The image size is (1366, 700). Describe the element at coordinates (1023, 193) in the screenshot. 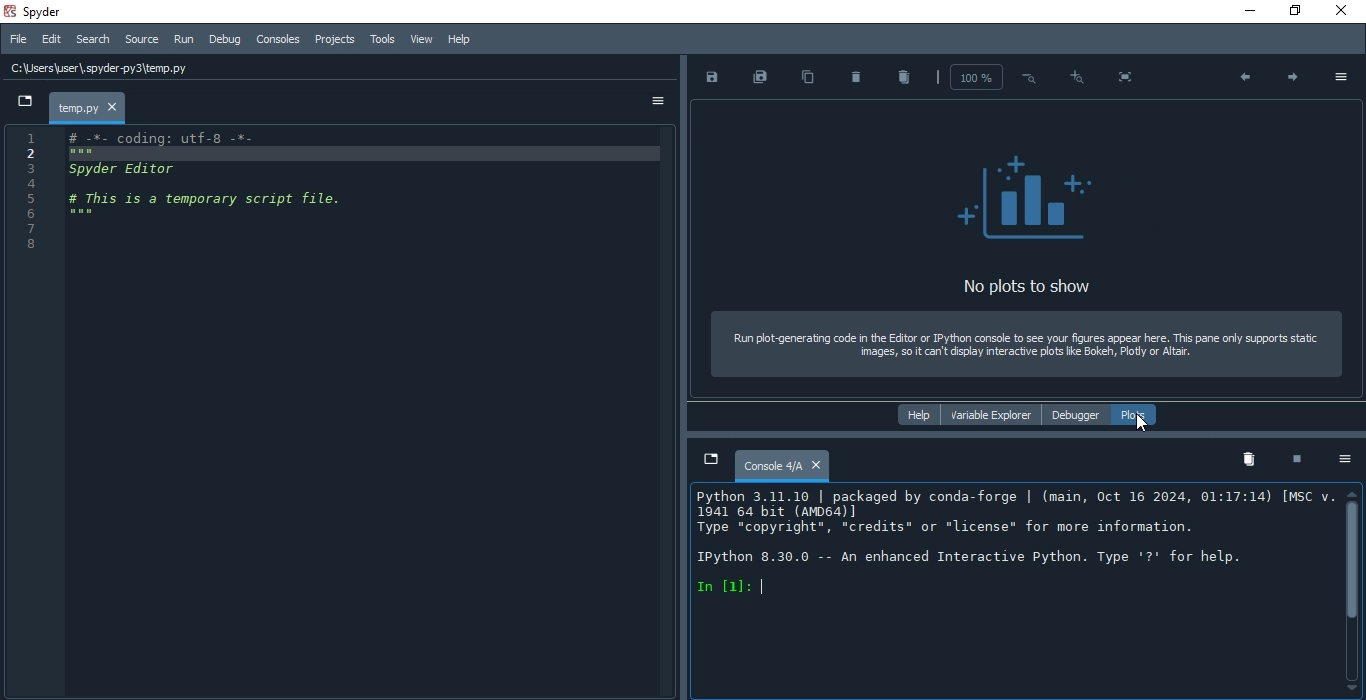

I see `image` at that location.